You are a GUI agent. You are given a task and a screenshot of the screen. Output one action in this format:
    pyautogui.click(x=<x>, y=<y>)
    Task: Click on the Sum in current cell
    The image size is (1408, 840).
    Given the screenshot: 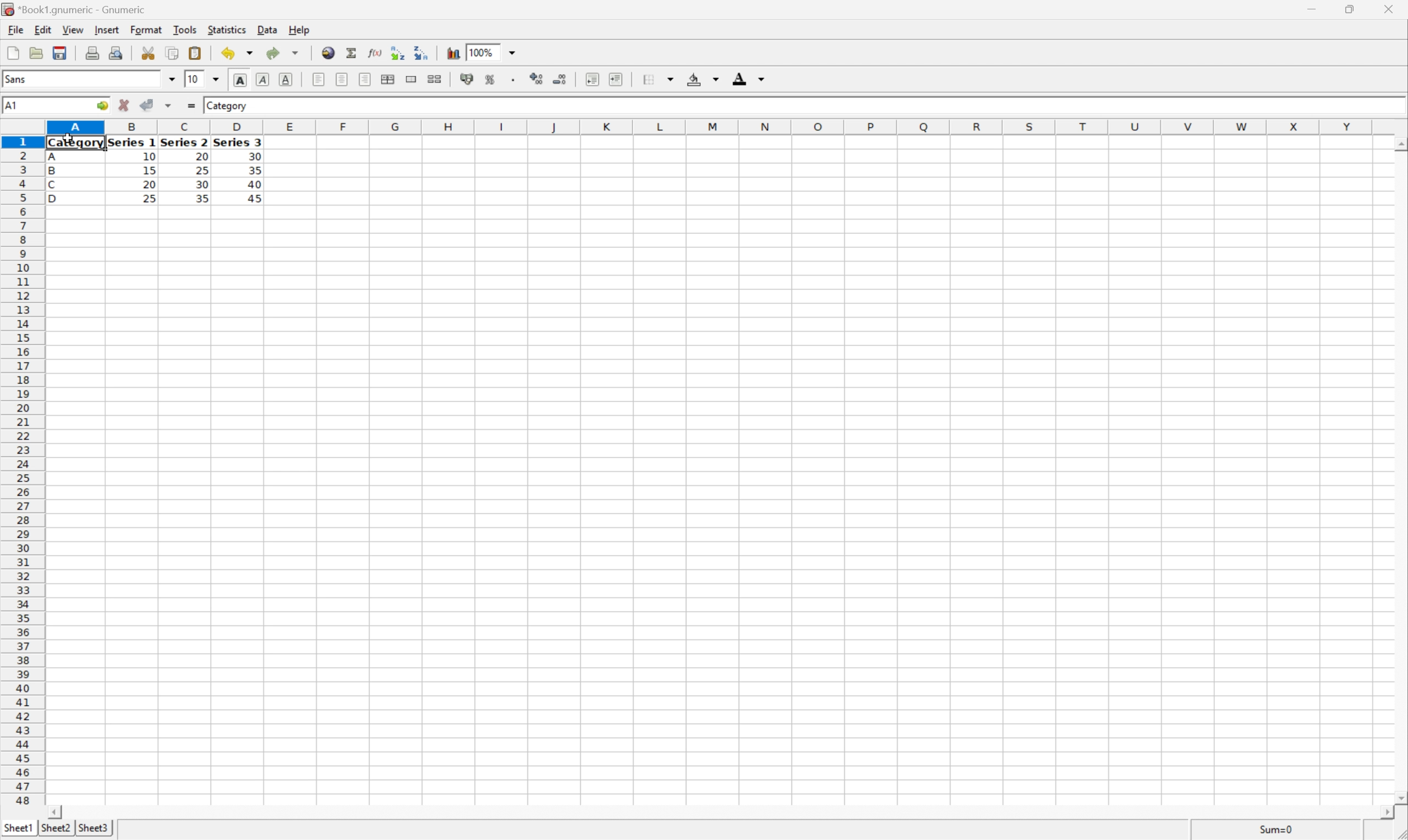 What is the action you would take?
    pyautogui.click(x=353, y=53)
    